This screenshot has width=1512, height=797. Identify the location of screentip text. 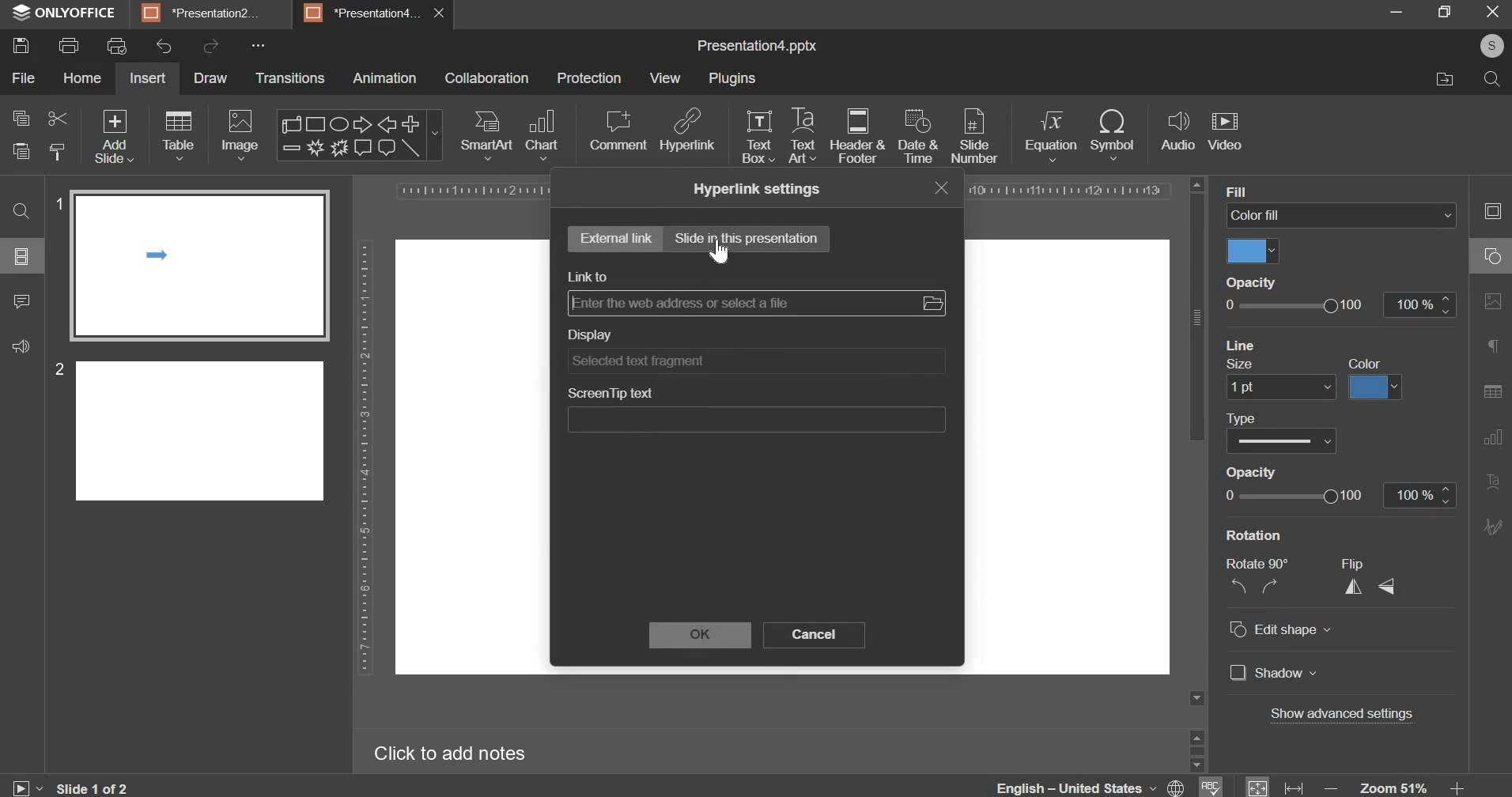
(758, 419).